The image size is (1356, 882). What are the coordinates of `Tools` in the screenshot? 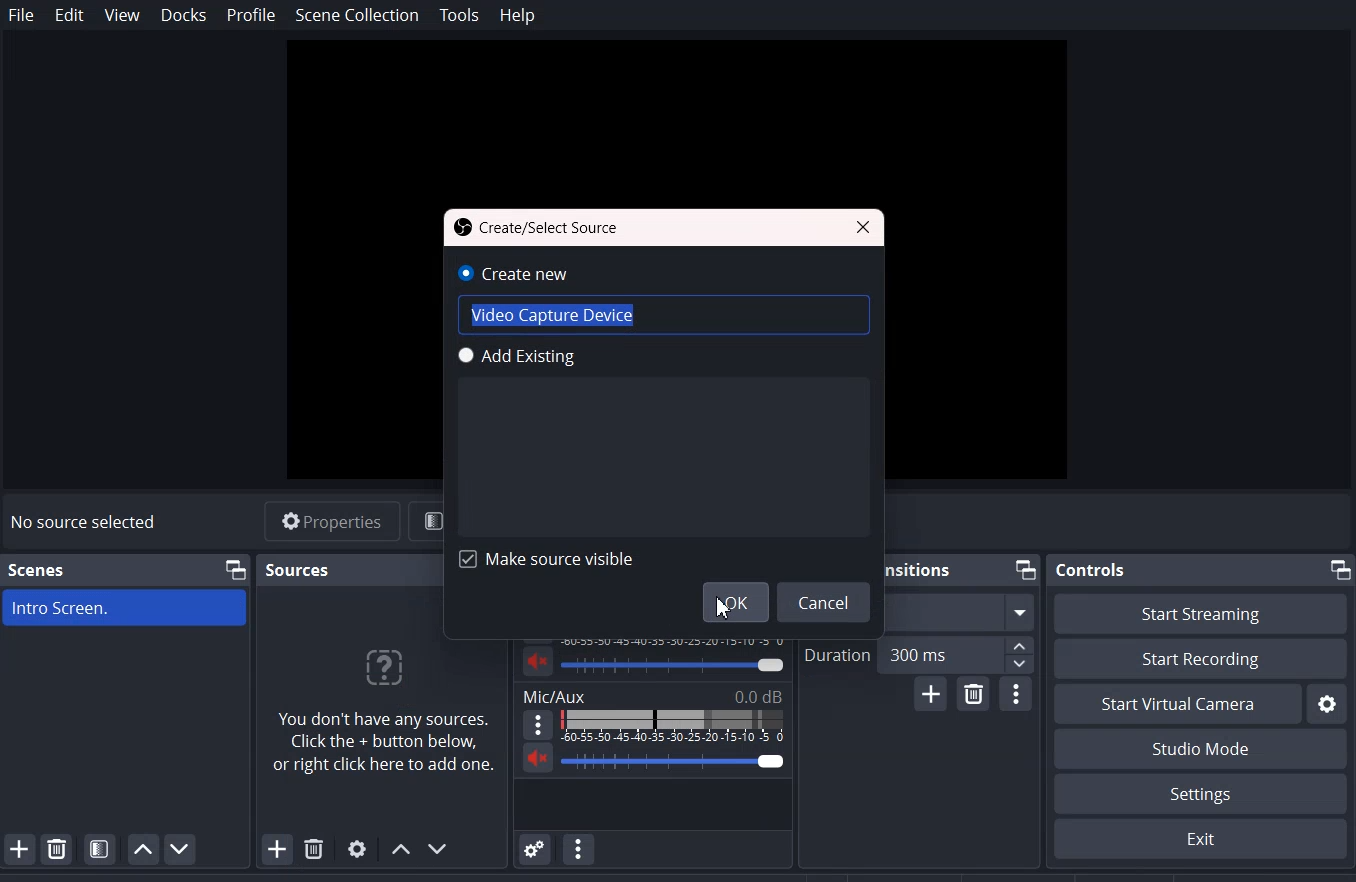 It's located at (459, 16).